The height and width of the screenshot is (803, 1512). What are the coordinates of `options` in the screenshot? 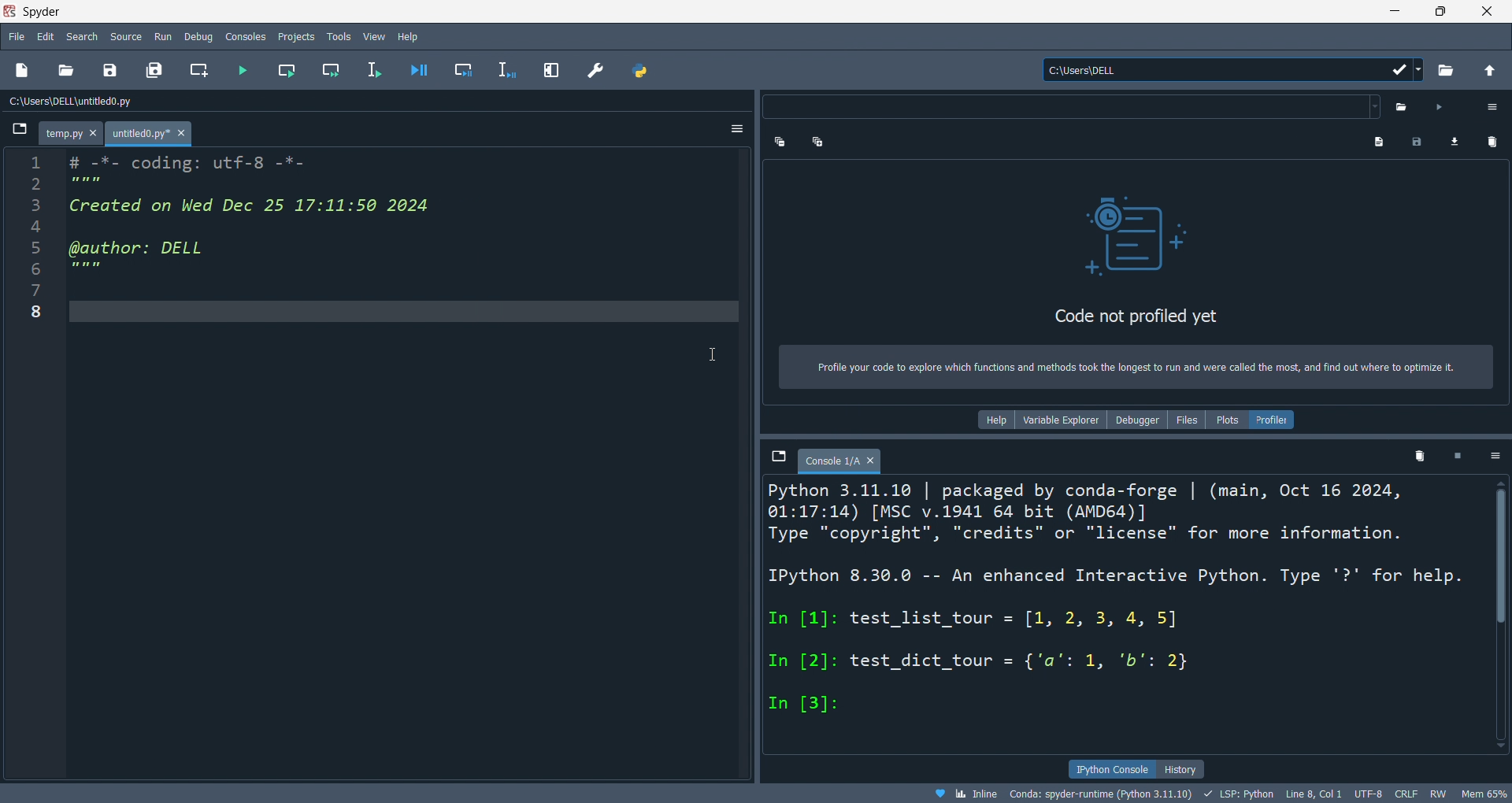 It's located at (1494, 457).